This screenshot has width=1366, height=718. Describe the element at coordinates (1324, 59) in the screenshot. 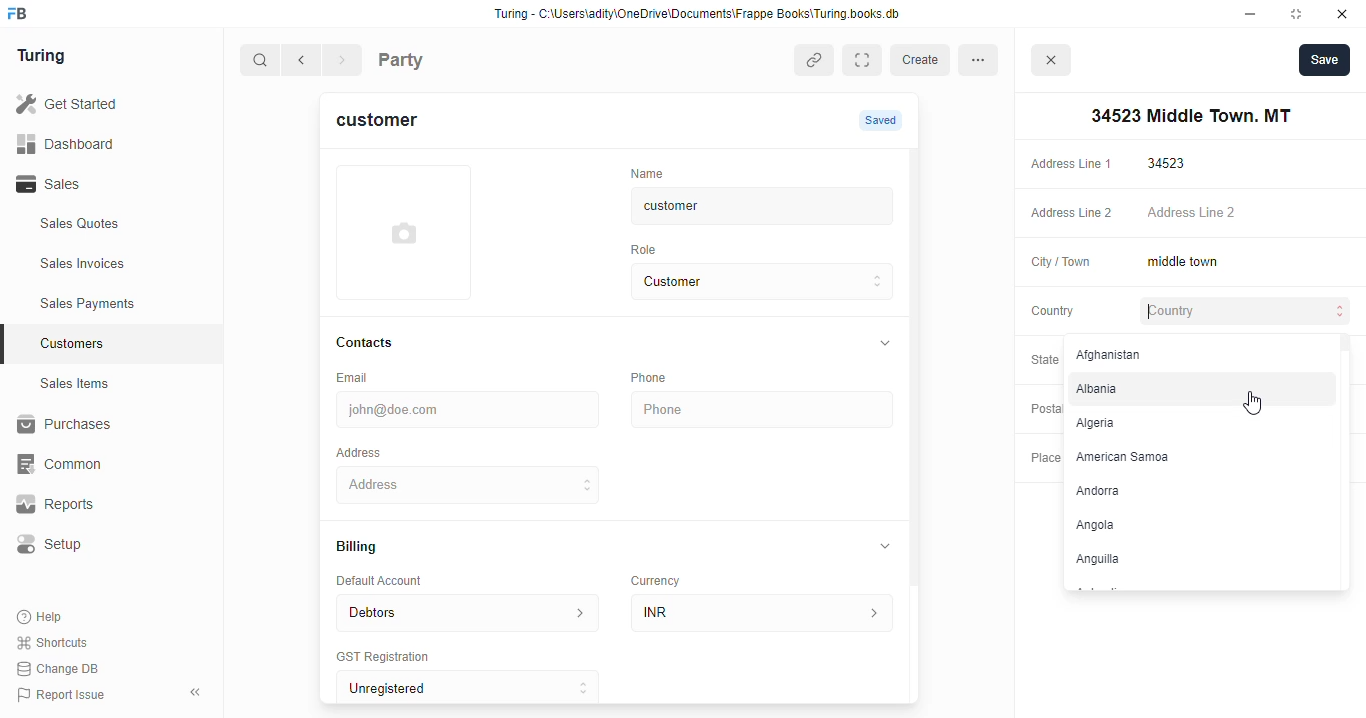

I see `Save` at that location.